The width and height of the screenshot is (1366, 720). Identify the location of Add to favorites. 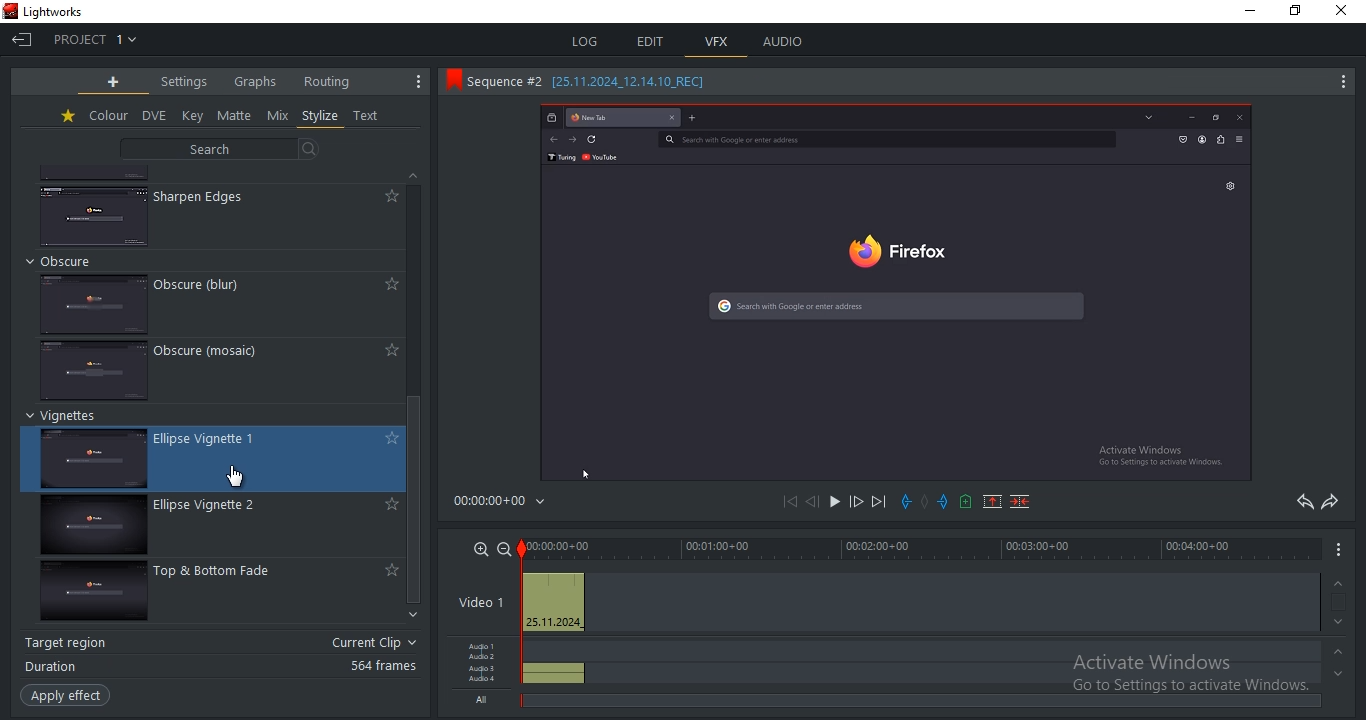
(389, 438).